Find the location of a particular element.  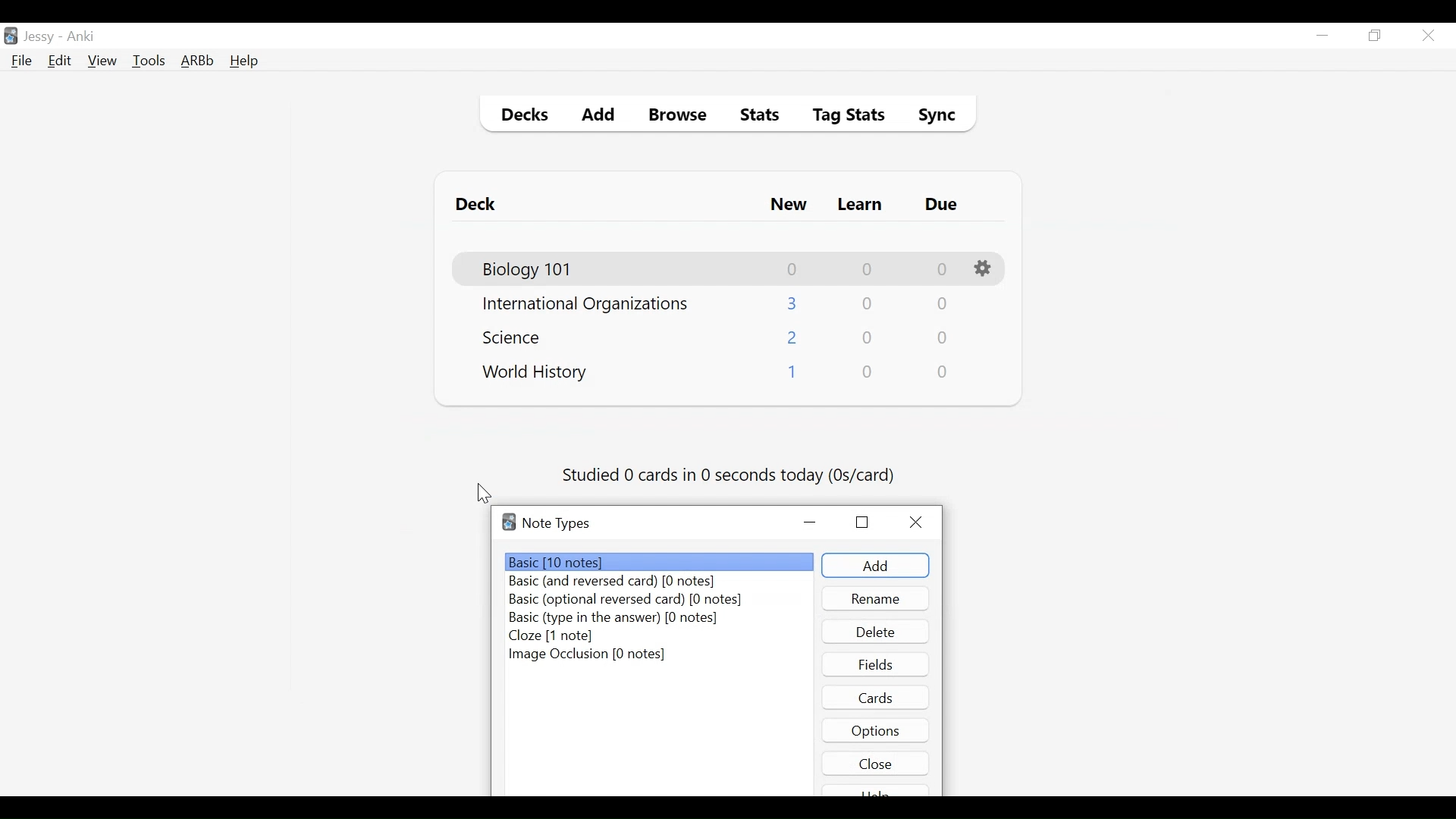

Learn is located at coordinates (859, 206).